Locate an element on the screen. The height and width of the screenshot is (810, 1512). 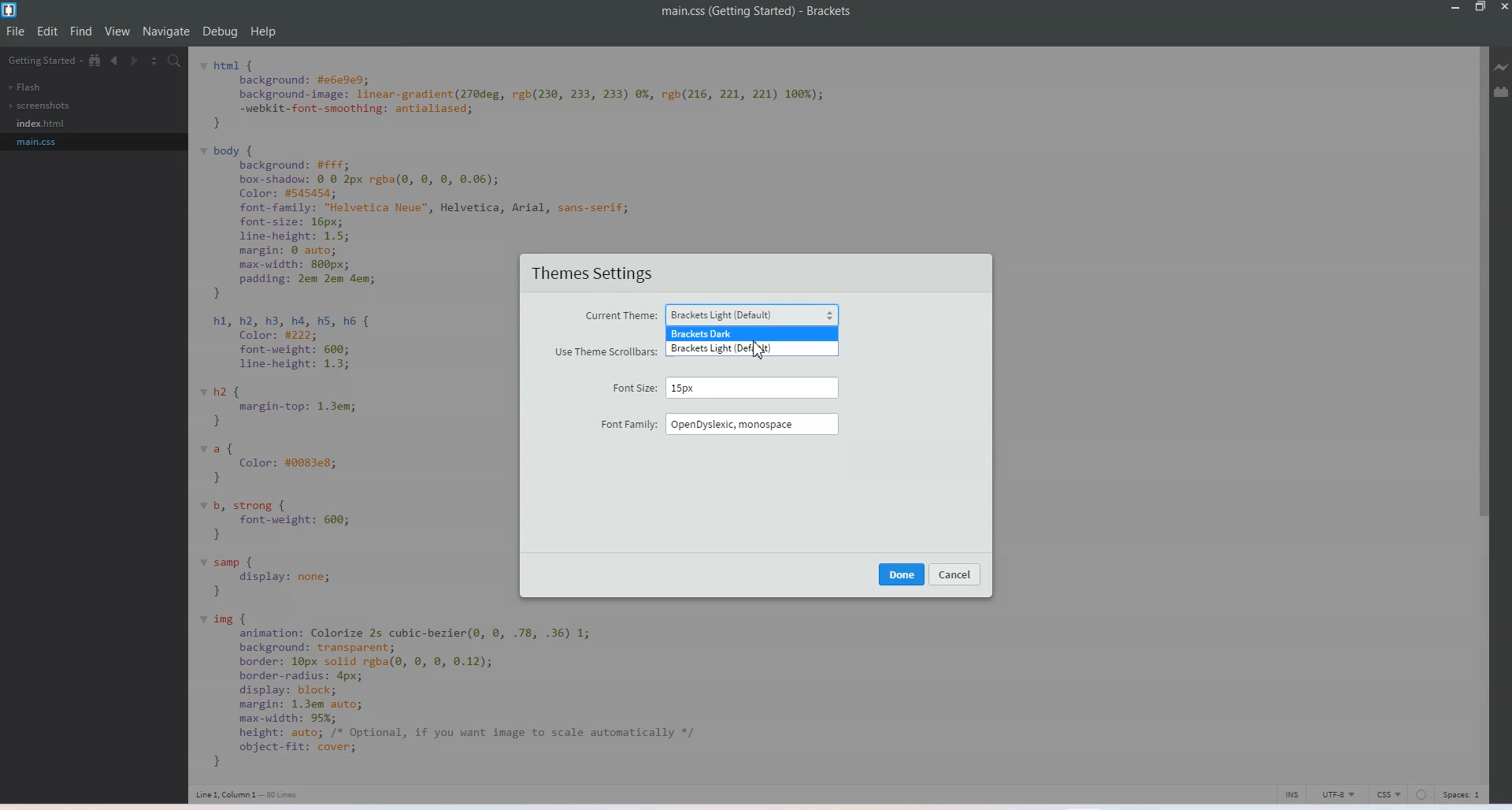
Edit is located at coordinates (47, 31).